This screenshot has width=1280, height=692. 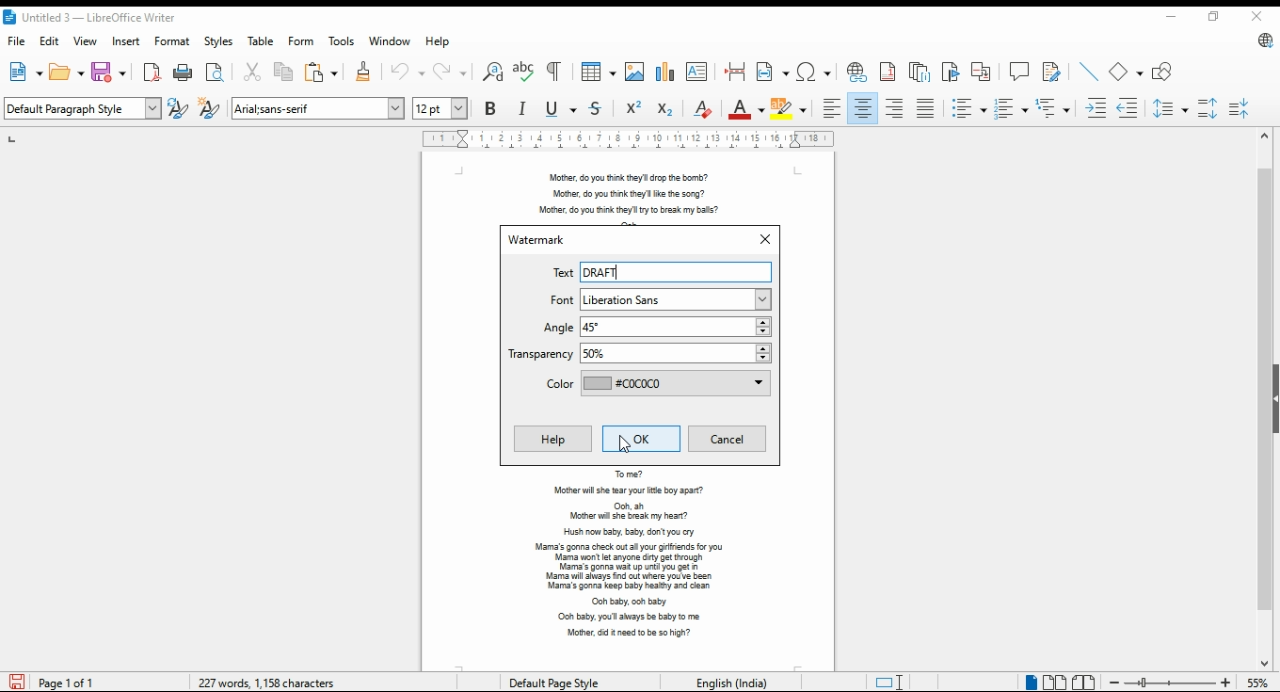 What do you see at coordinates (1260, 18) in the screenshot?
I see `close window` at bounding box center [1260, 18].